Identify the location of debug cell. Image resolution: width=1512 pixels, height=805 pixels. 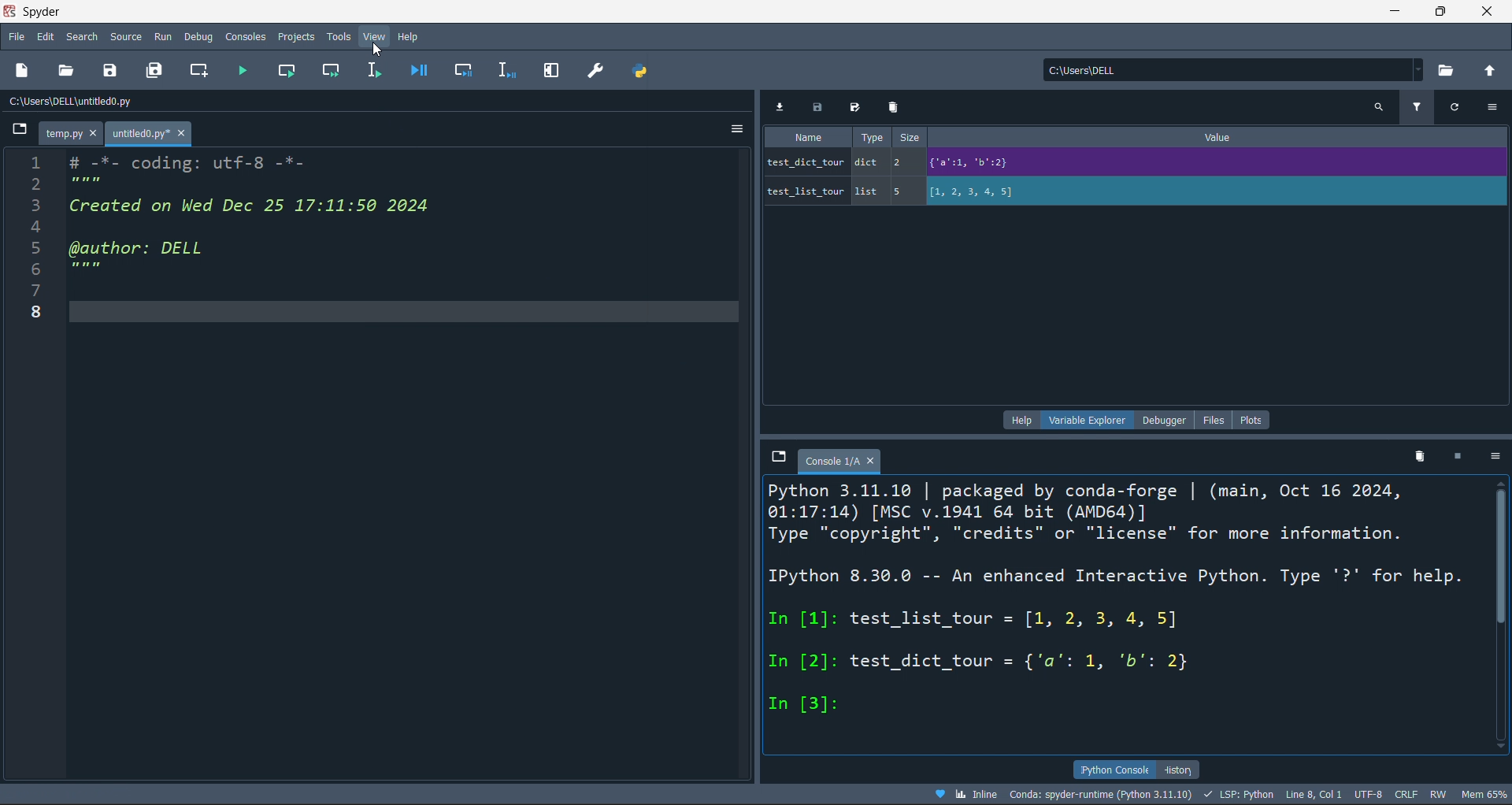
(460, 70).